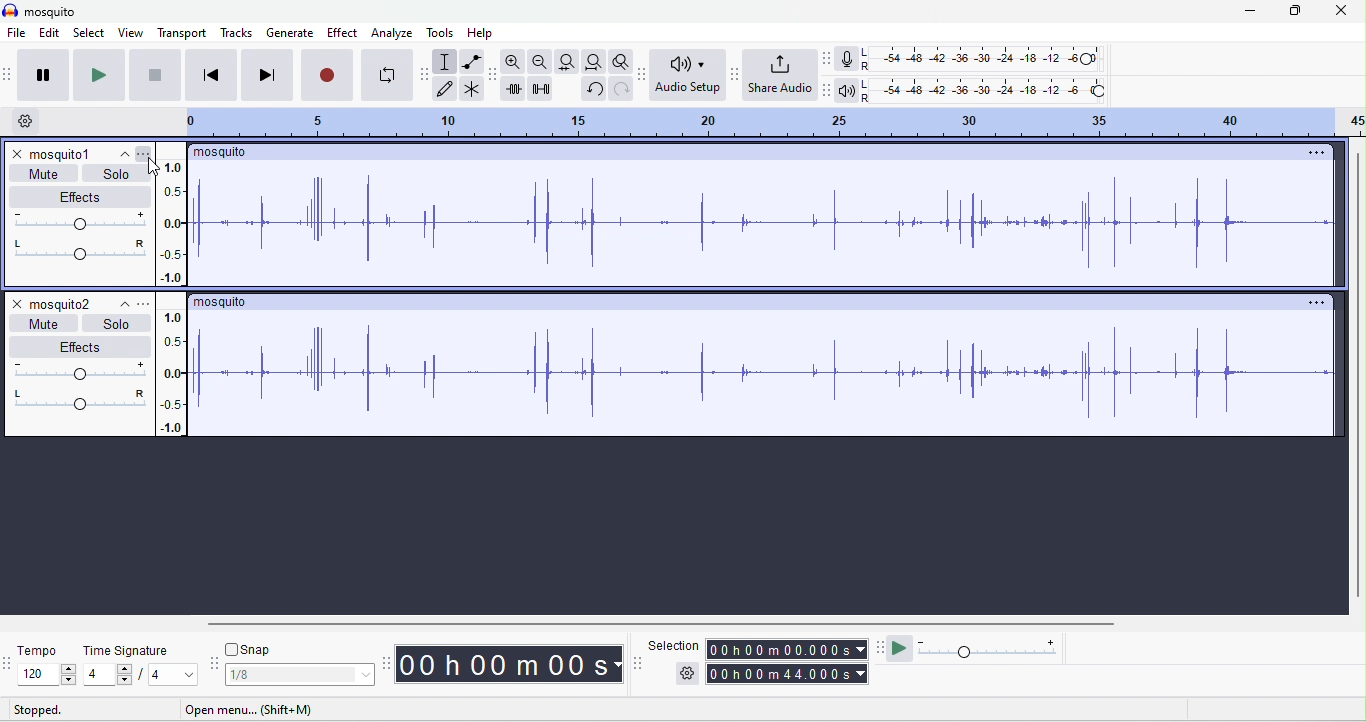 The height and width of the screenshot is (722, 1366). I want to click on selection time, so click(788, 649).